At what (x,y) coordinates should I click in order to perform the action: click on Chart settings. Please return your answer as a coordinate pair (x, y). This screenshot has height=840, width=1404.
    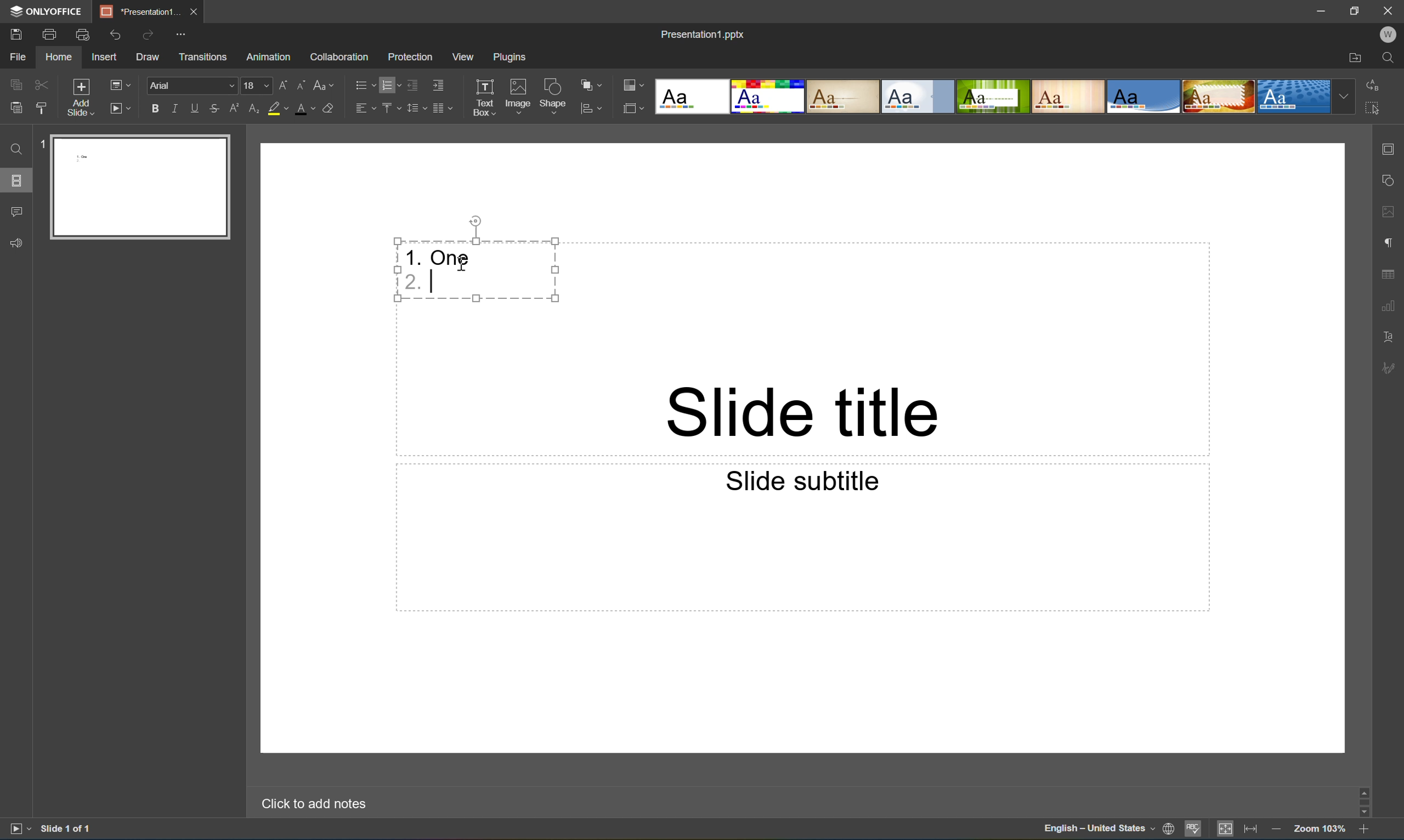
    Looking at the image, I should click on (1390, 306).